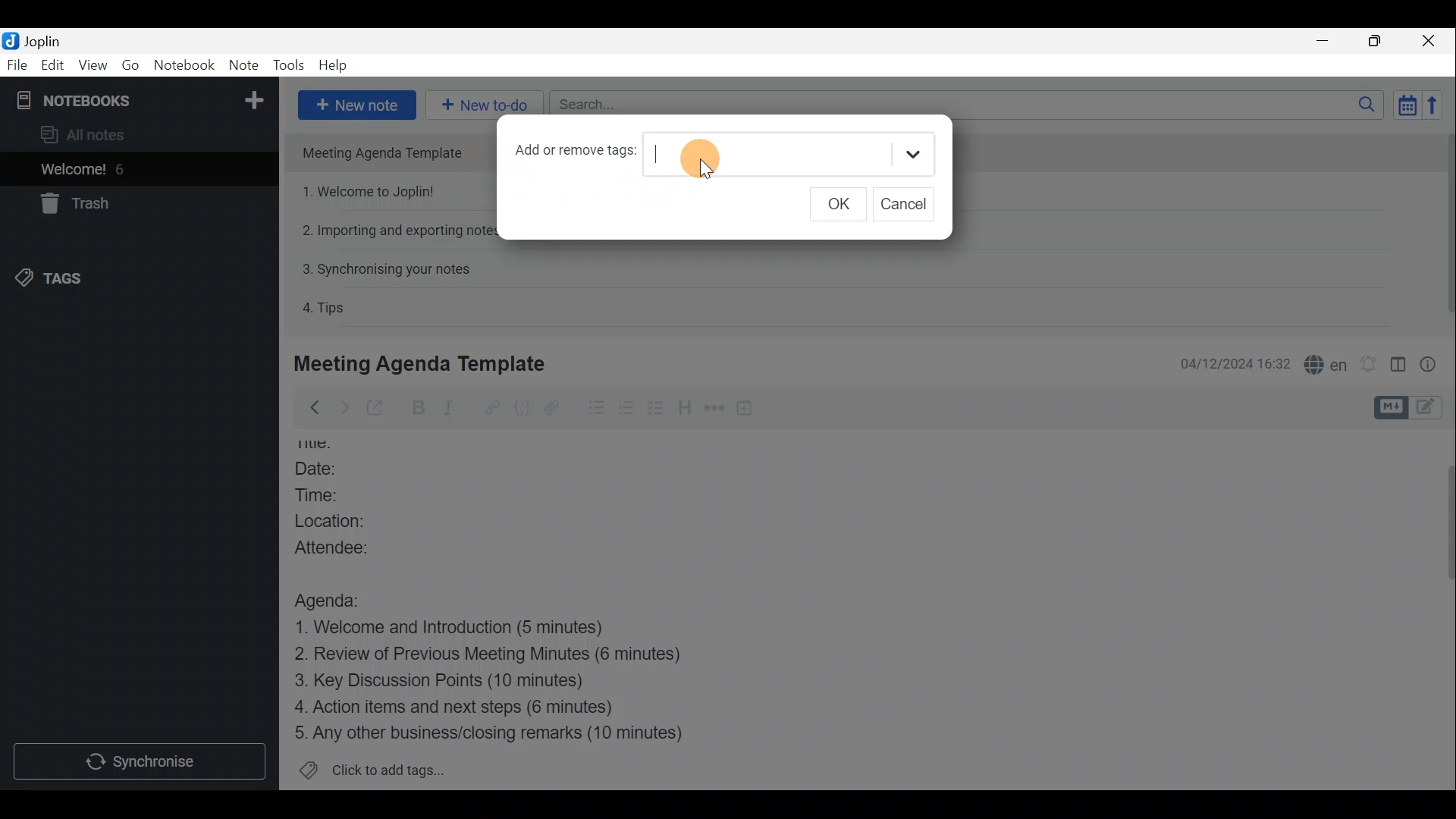 The image size is (1456, 819). Describe the element at coordinates (1325, 40) in the screenshot. I see `Minimise` at that location.